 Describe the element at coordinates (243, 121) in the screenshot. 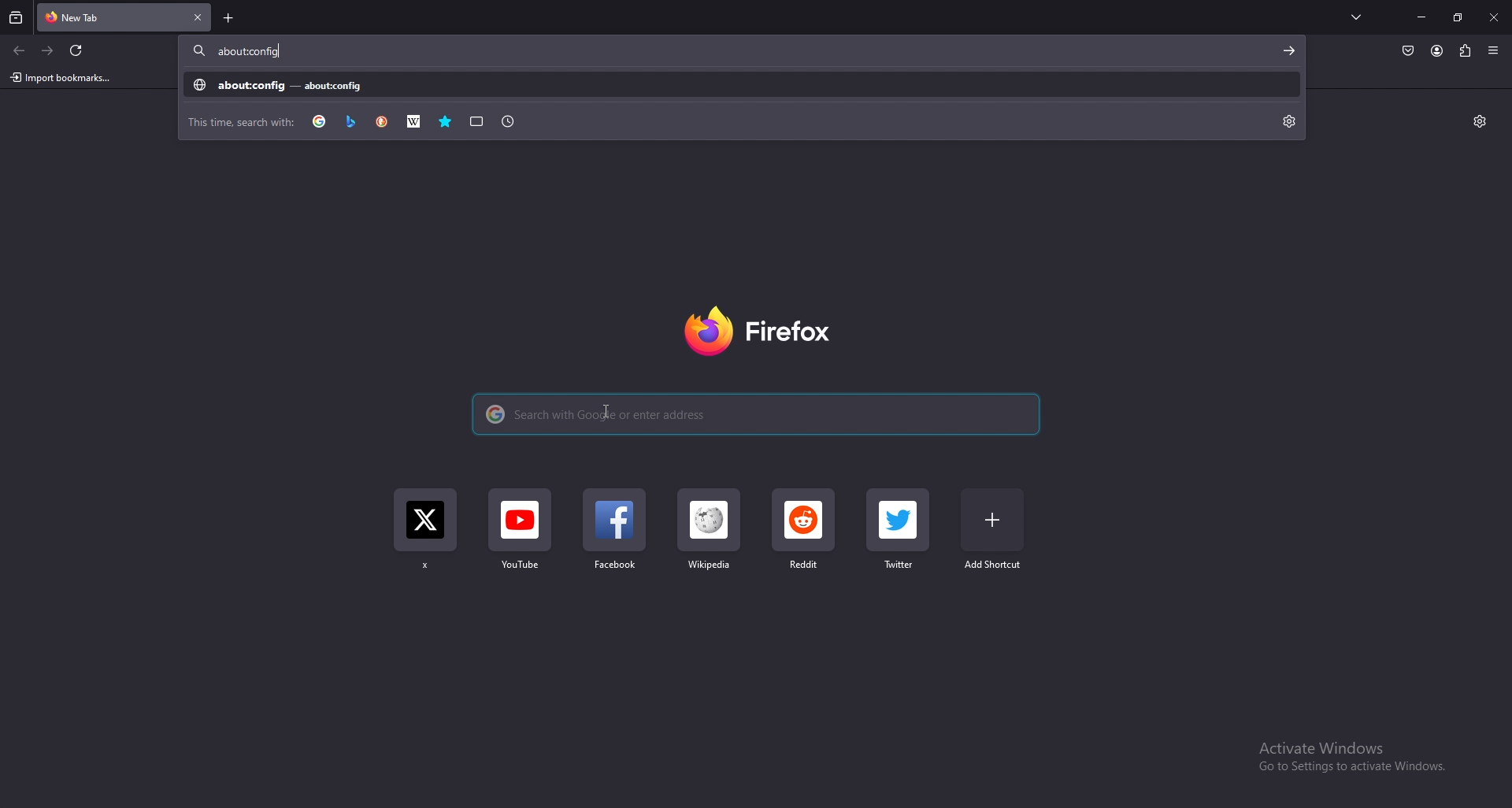

I see `this time search with` at that location.